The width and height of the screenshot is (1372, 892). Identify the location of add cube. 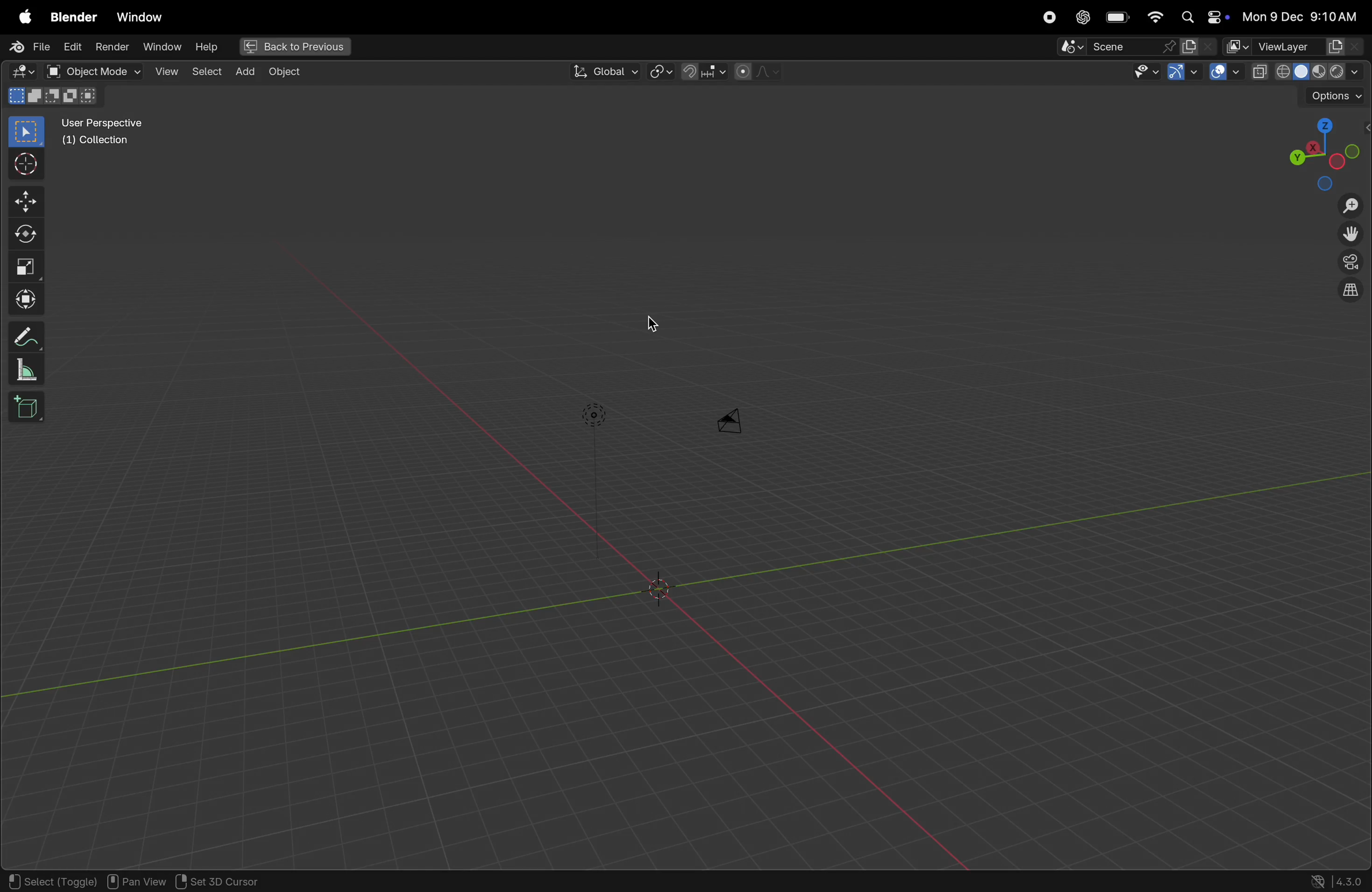
(29, 409).